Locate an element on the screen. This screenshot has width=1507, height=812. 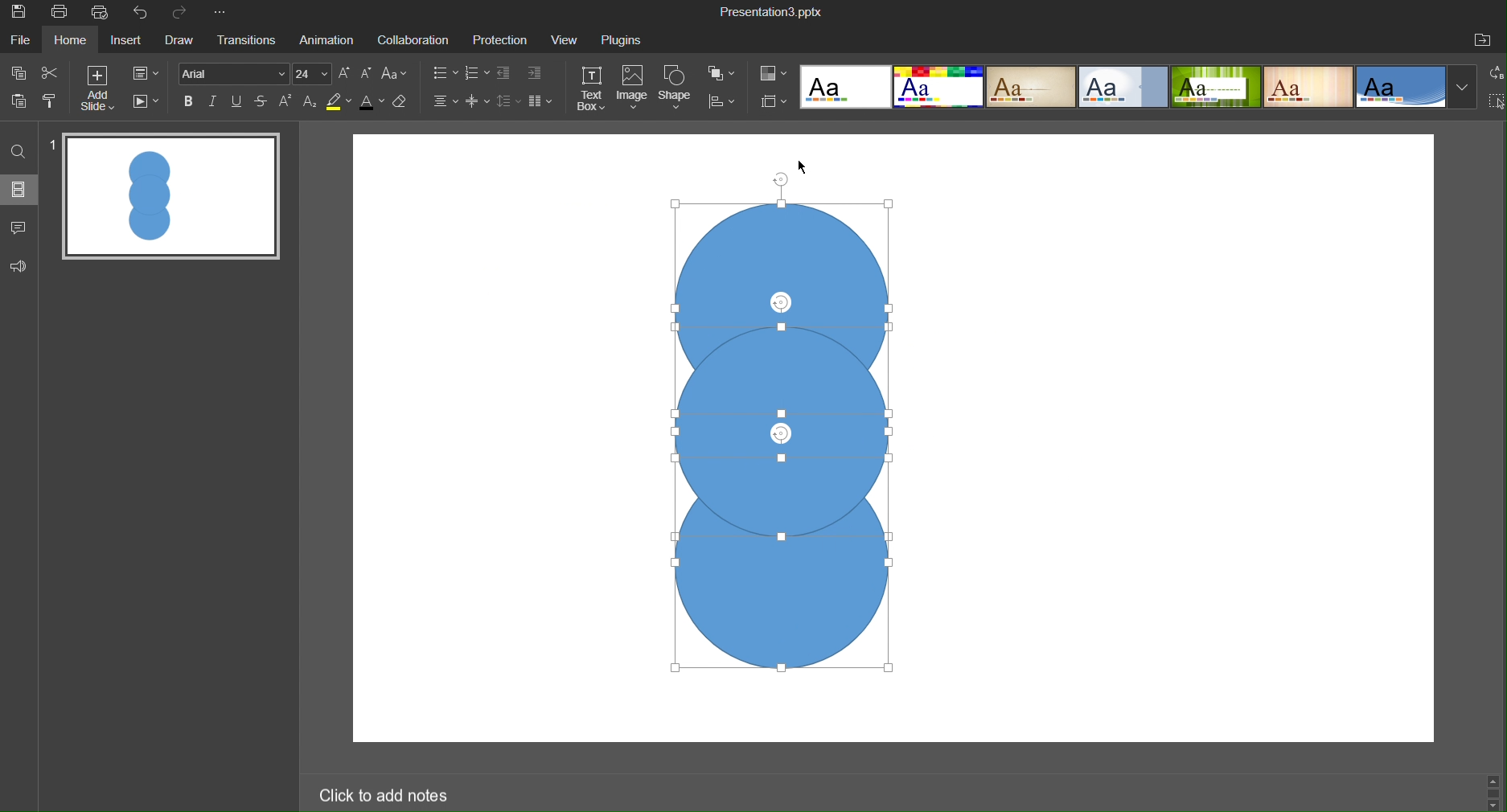
Font is located at coordinates (234, 73).